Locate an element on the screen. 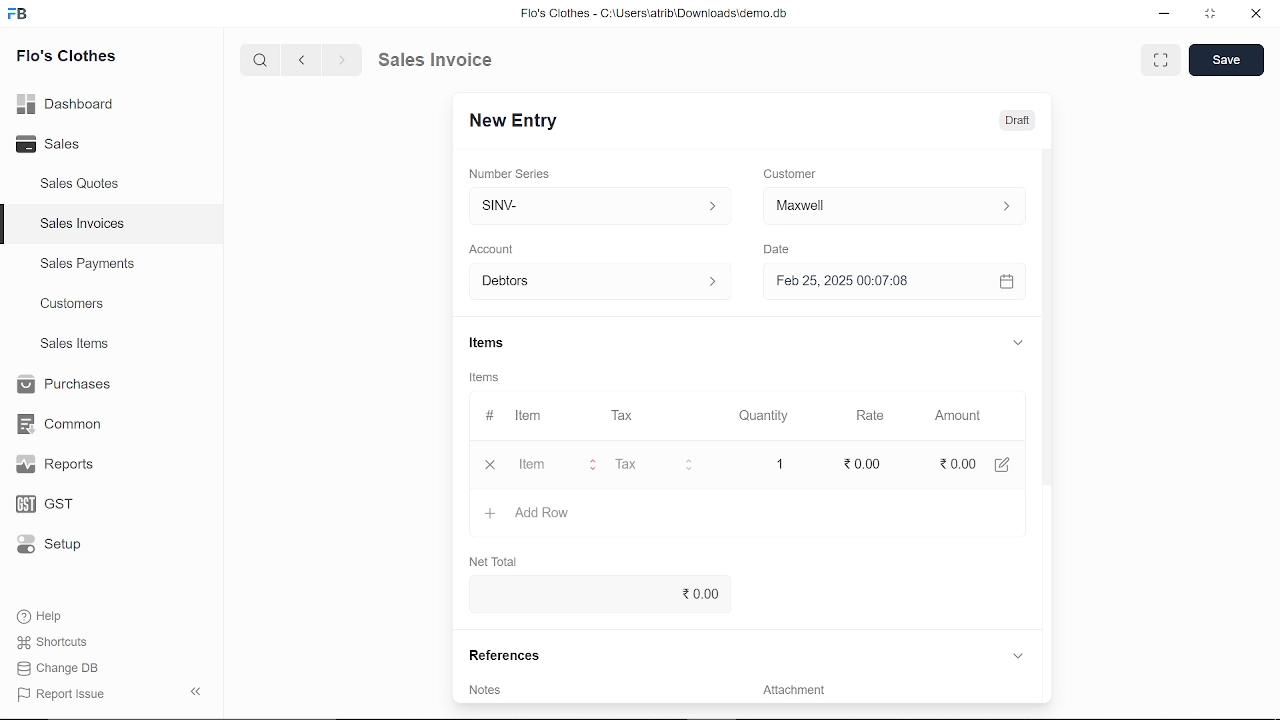 The image size is (1280, 720). Sales Items. is located at coordinates (76, 345).